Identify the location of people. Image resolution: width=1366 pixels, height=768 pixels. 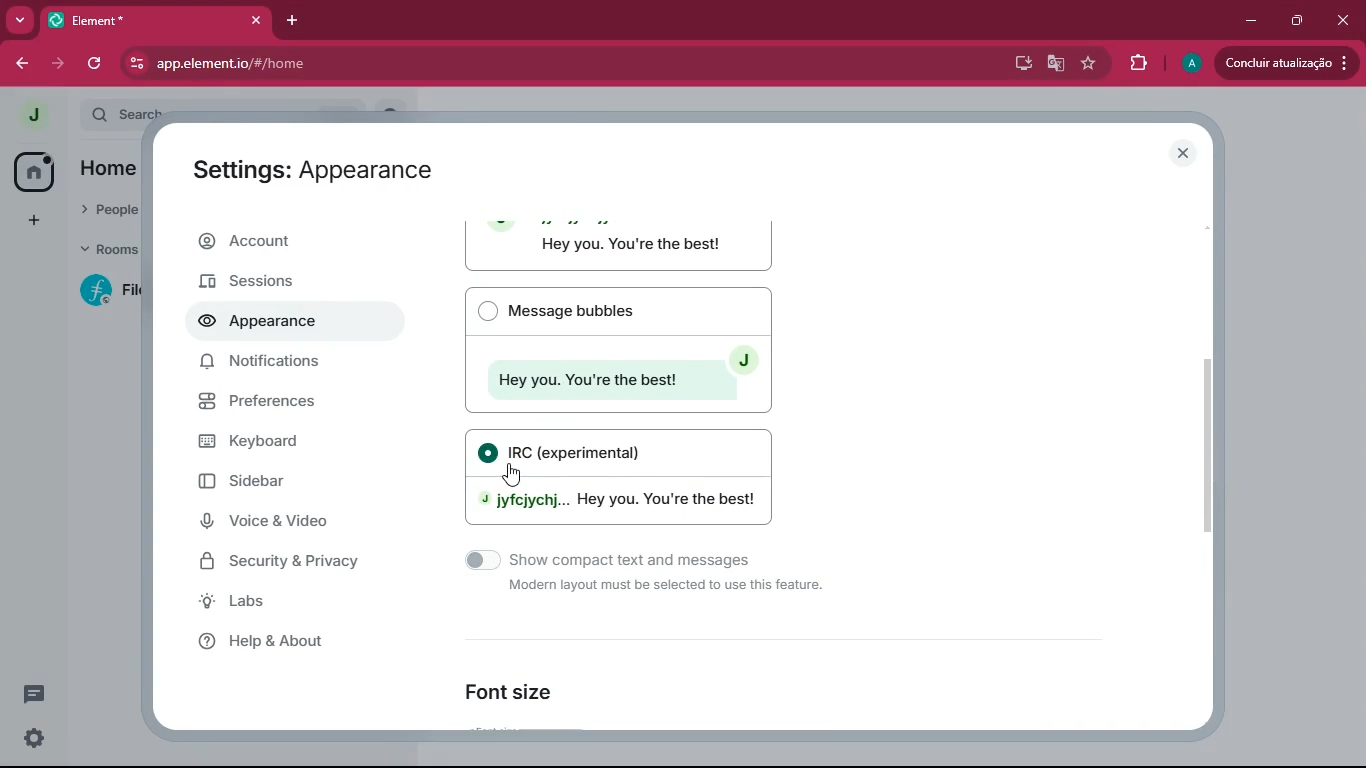
(112, 209).